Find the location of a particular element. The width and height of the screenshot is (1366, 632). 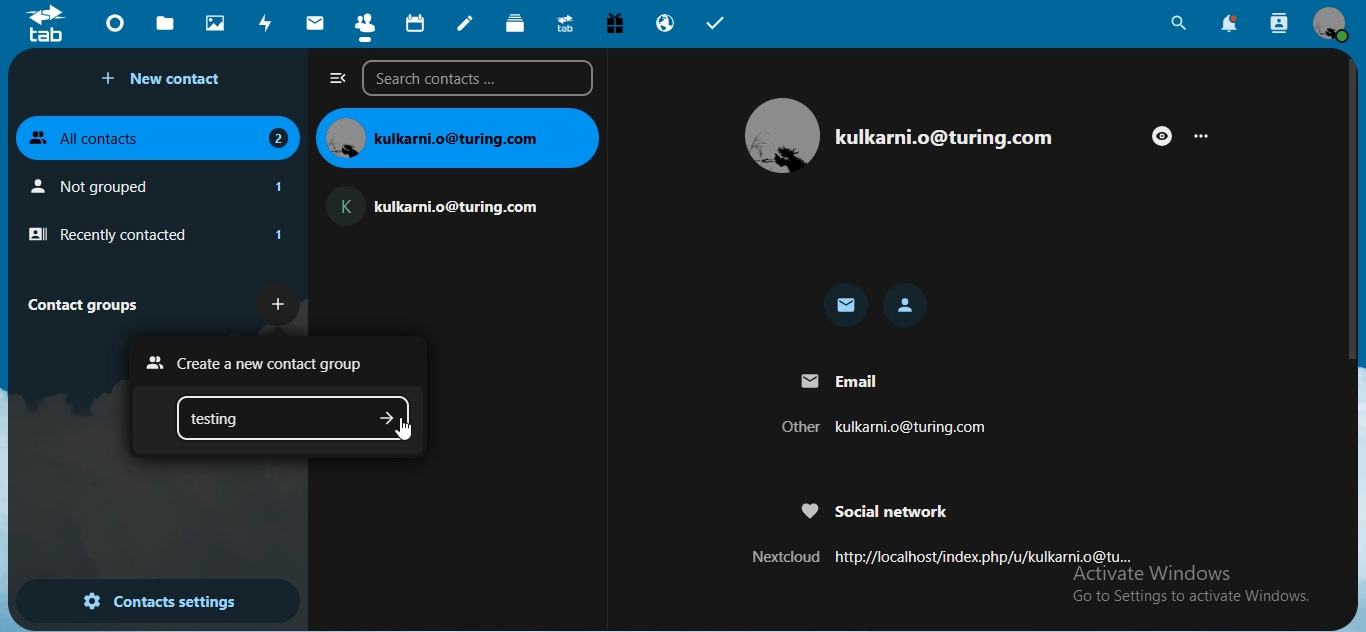

hide is located at coordinates (1162, 136).